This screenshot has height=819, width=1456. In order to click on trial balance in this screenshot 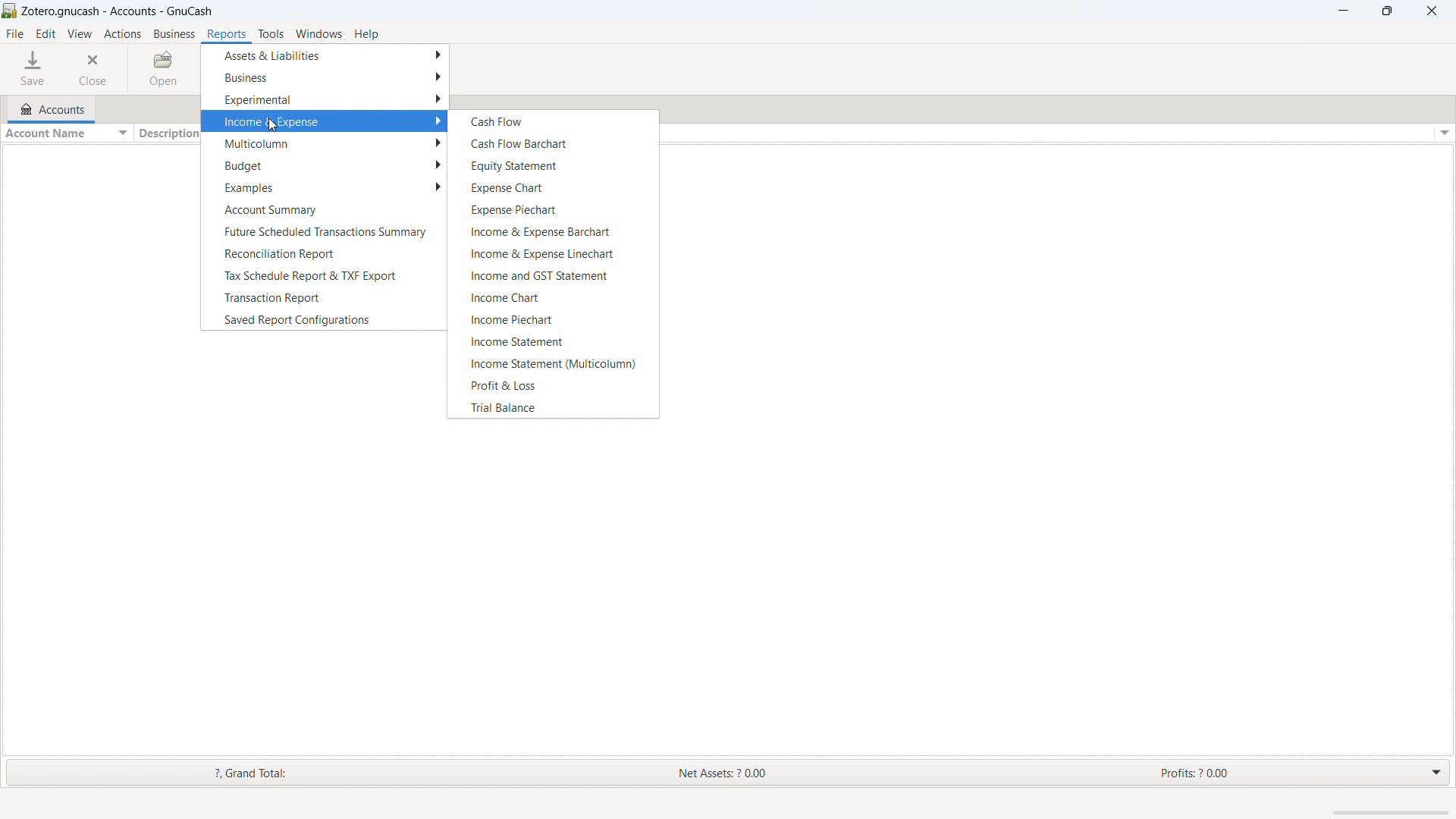, I will do `click(552, 407)`.